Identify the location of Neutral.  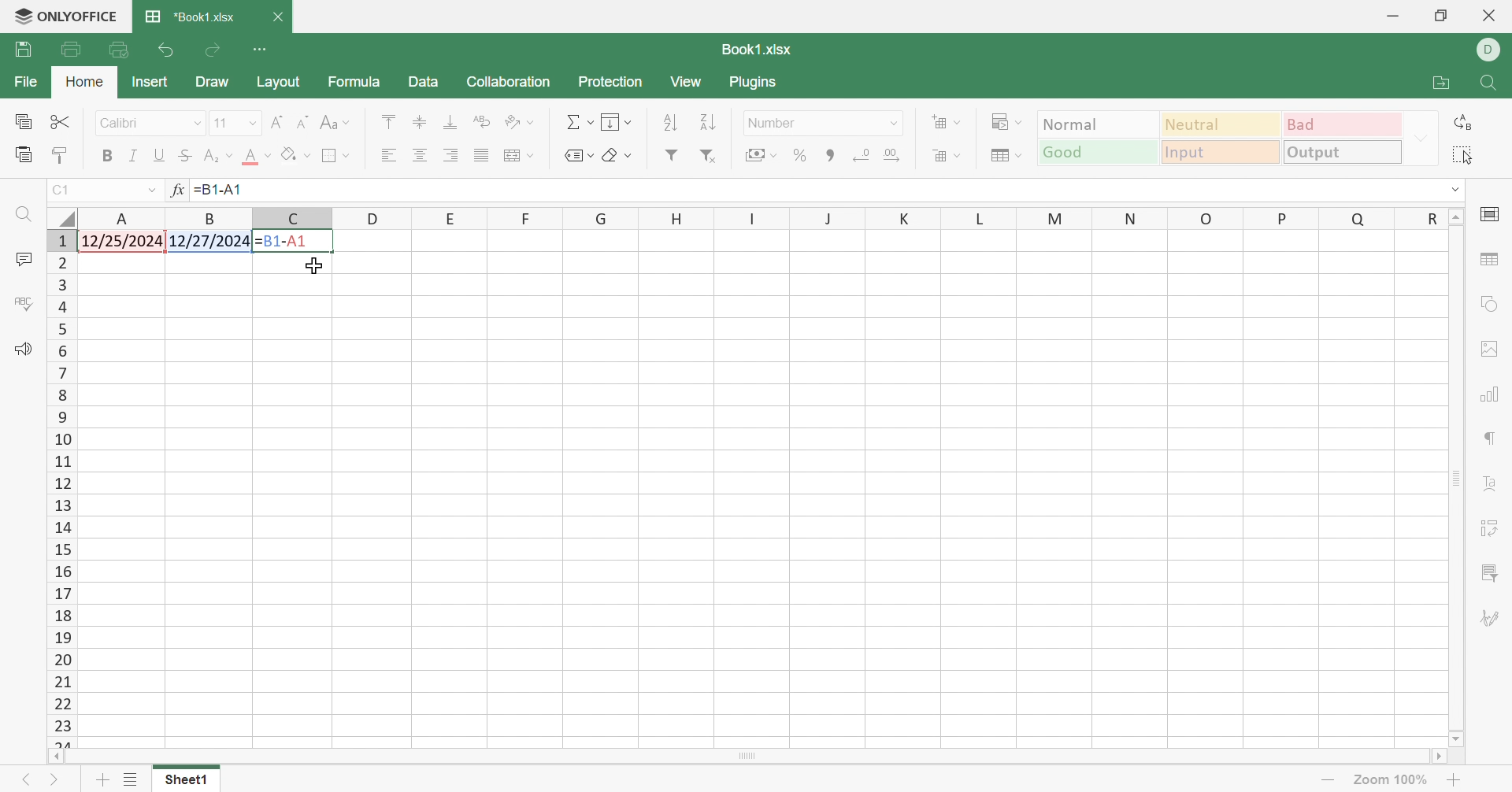
(1222, 124).